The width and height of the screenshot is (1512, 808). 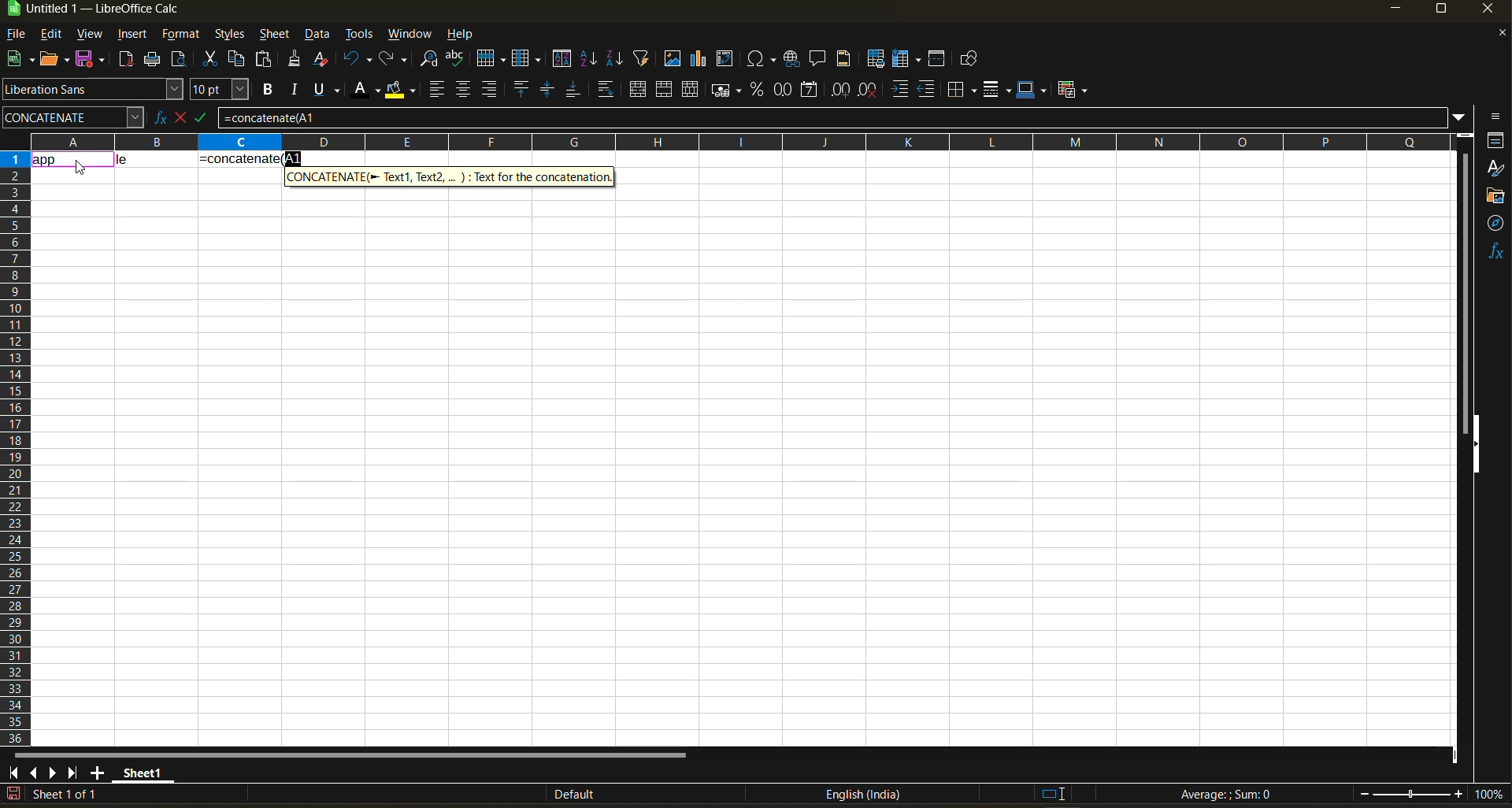 I want to click on insert comment, so click(x=818, y=59).